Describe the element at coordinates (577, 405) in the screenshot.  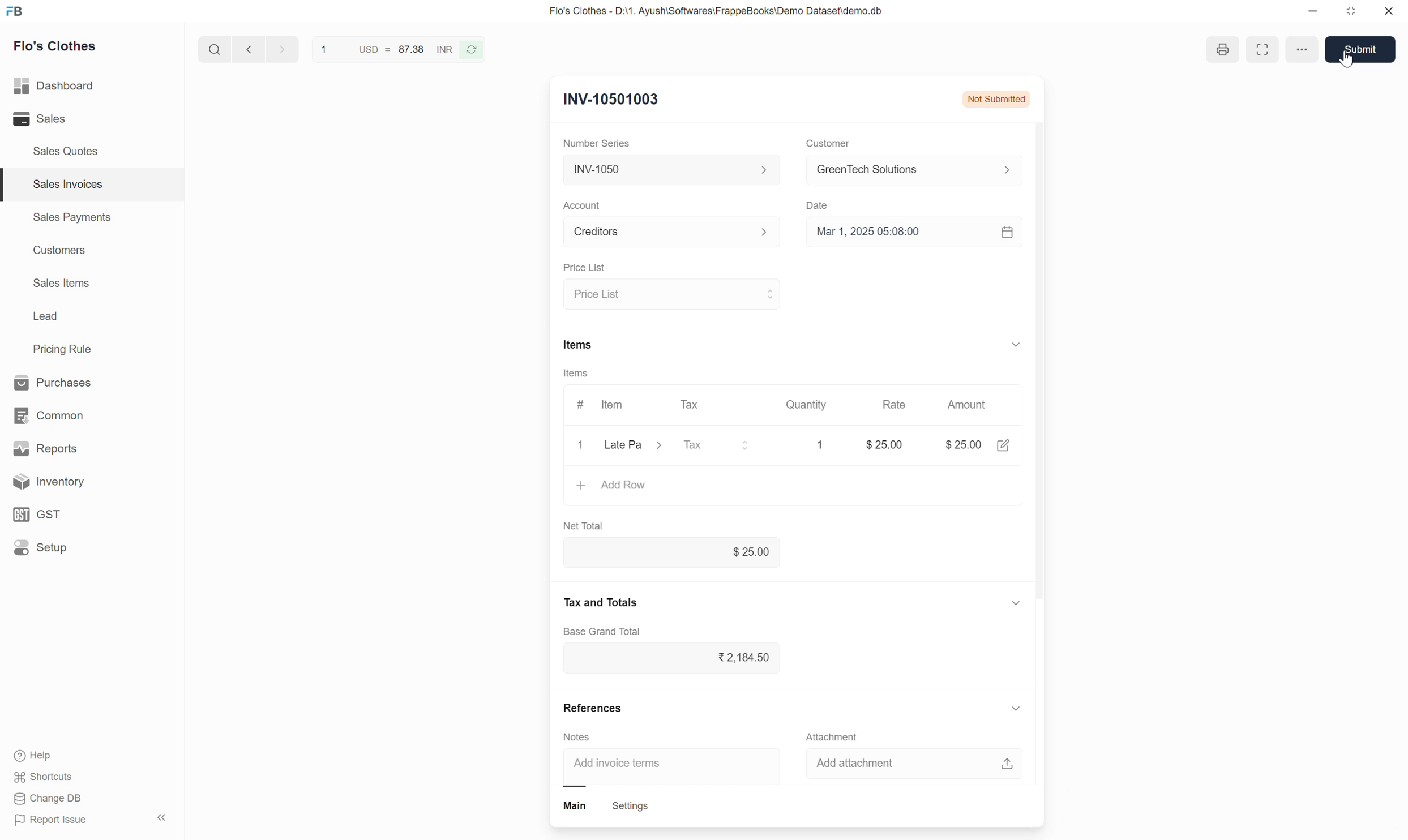
I see `#` at that location.